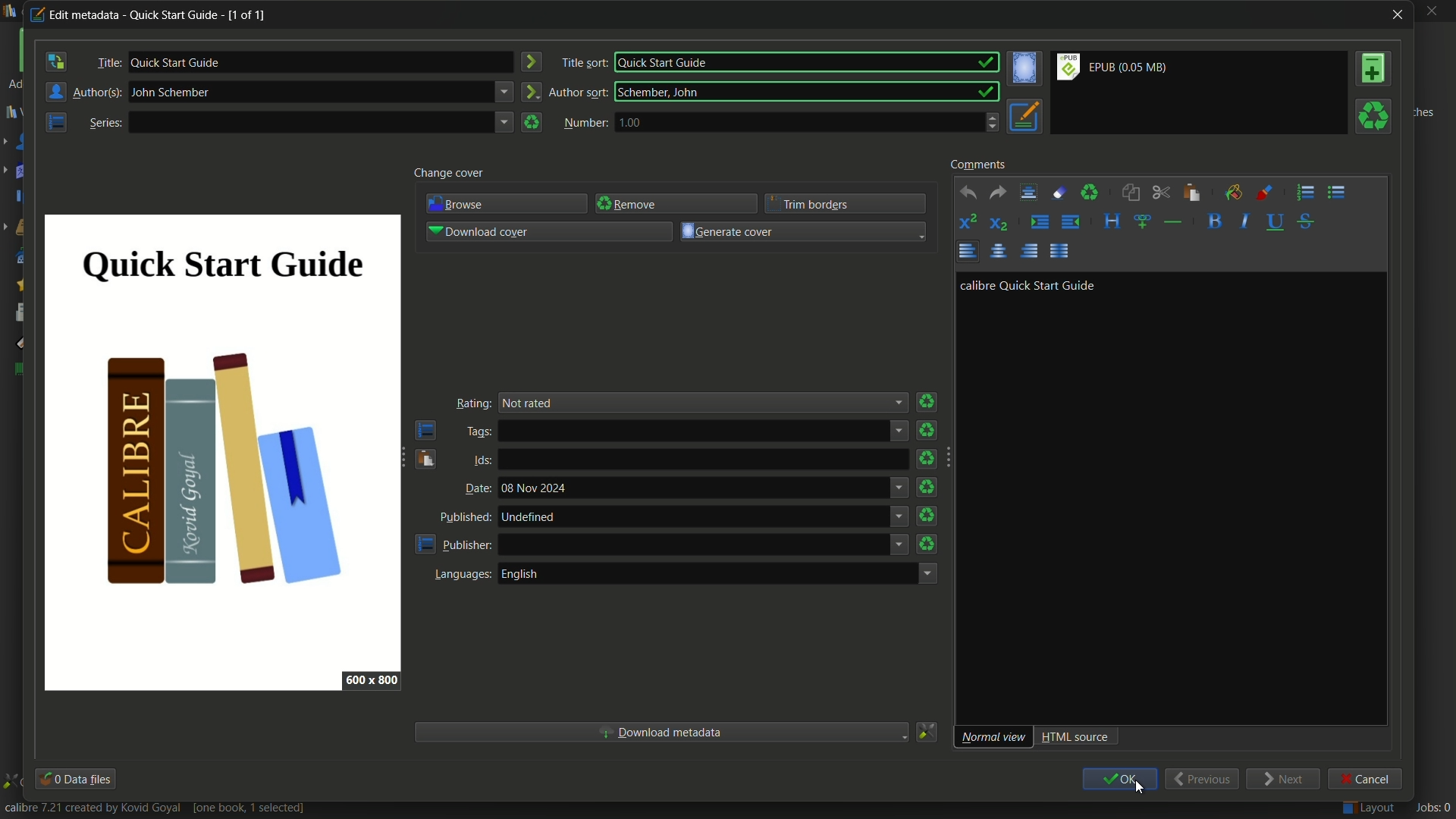 This screenshot has height=819, width=1456. Describe the element at coordinates (895, 403) in the screenshot. I see `dropdown` at that location.